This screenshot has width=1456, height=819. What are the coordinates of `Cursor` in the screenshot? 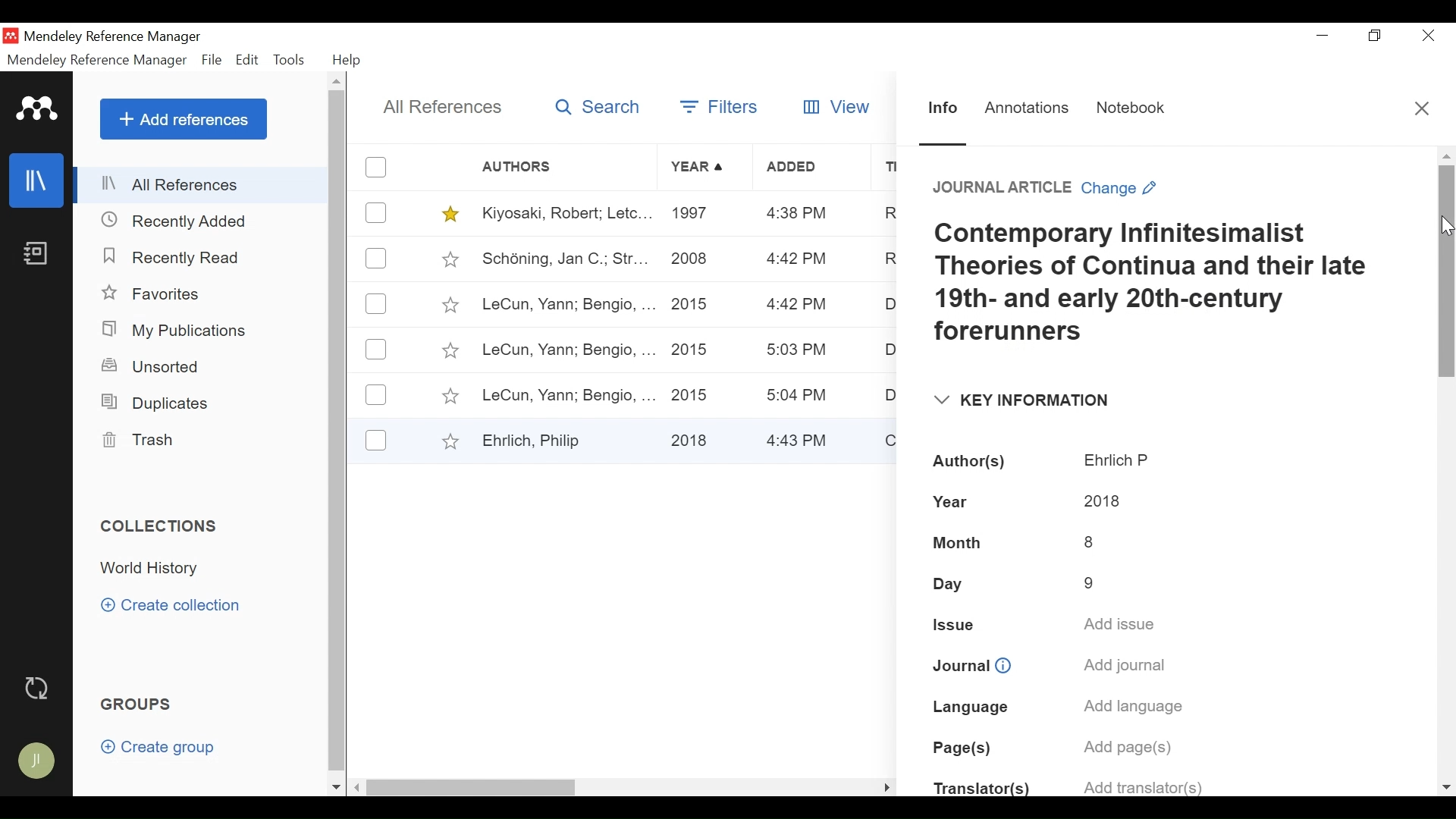 It's located at (1447, 227).